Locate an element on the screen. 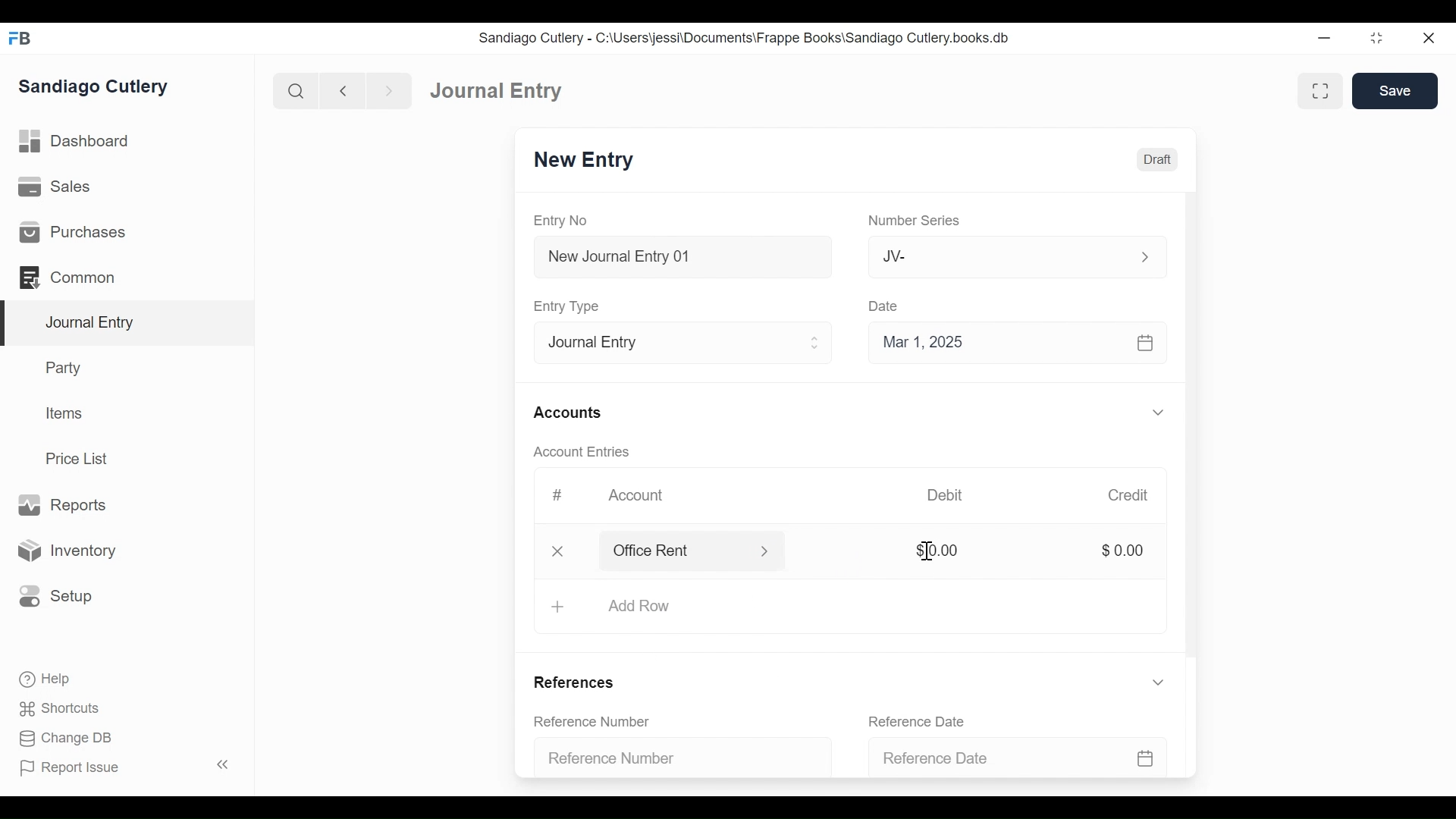 This screenshot has height=819, width=1456. Shortcuts is located at coordinates (52, 709).